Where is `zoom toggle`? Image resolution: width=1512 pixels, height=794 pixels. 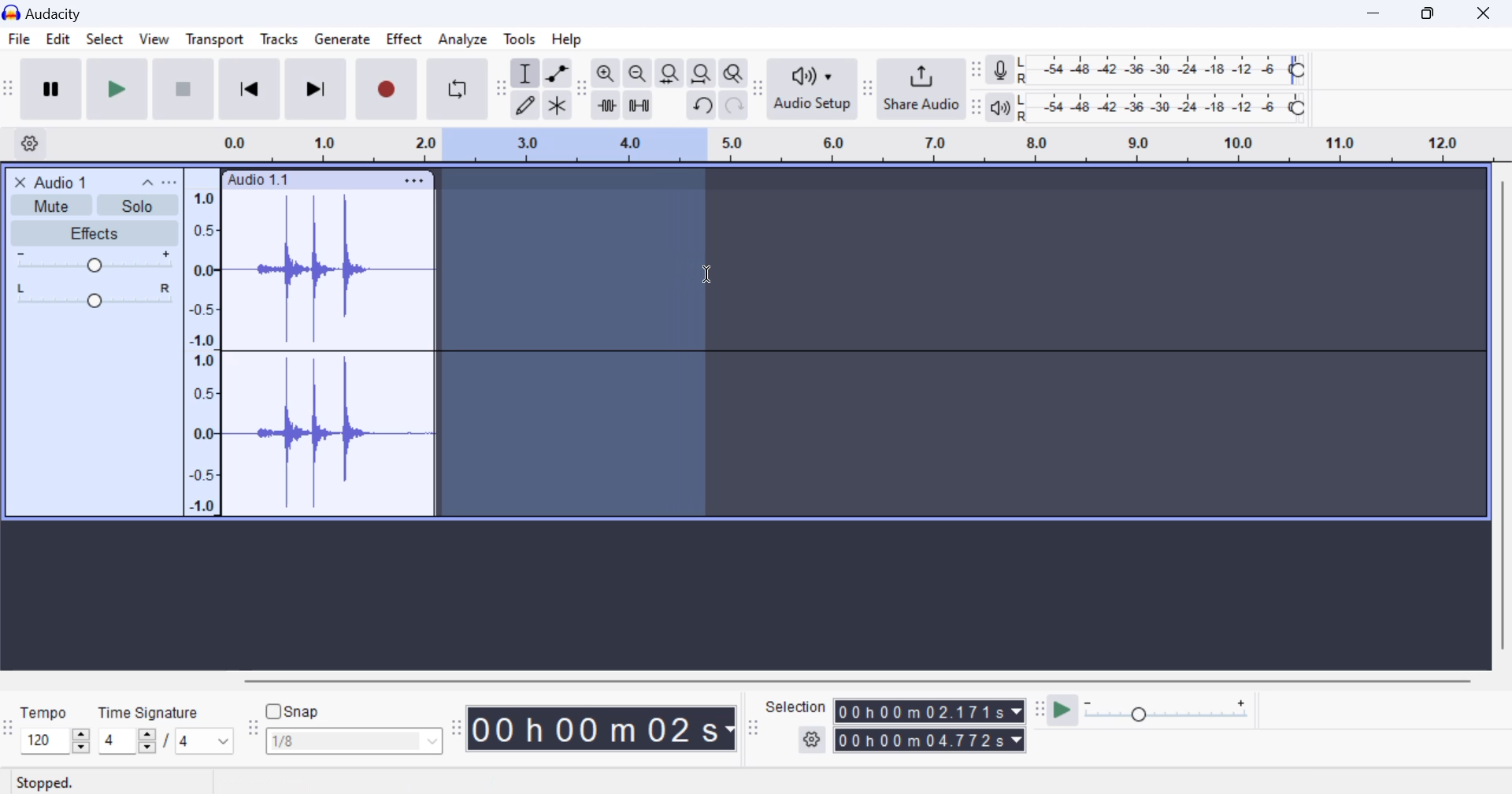
zoom toggle is located at coordinates (735, 75).